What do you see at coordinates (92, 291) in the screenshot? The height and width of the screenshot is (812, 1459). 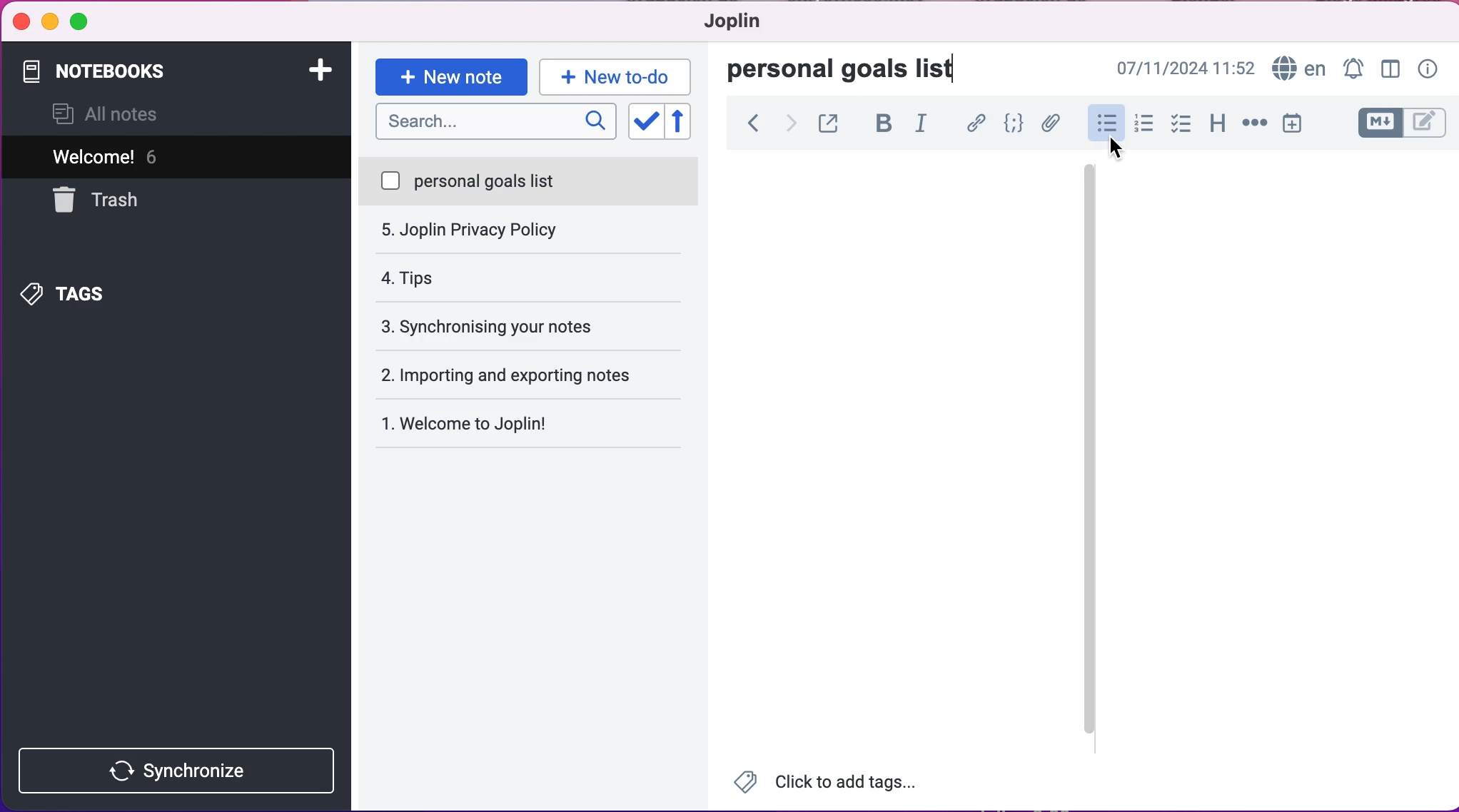 I see `tags` at bounding box center [92, 291].